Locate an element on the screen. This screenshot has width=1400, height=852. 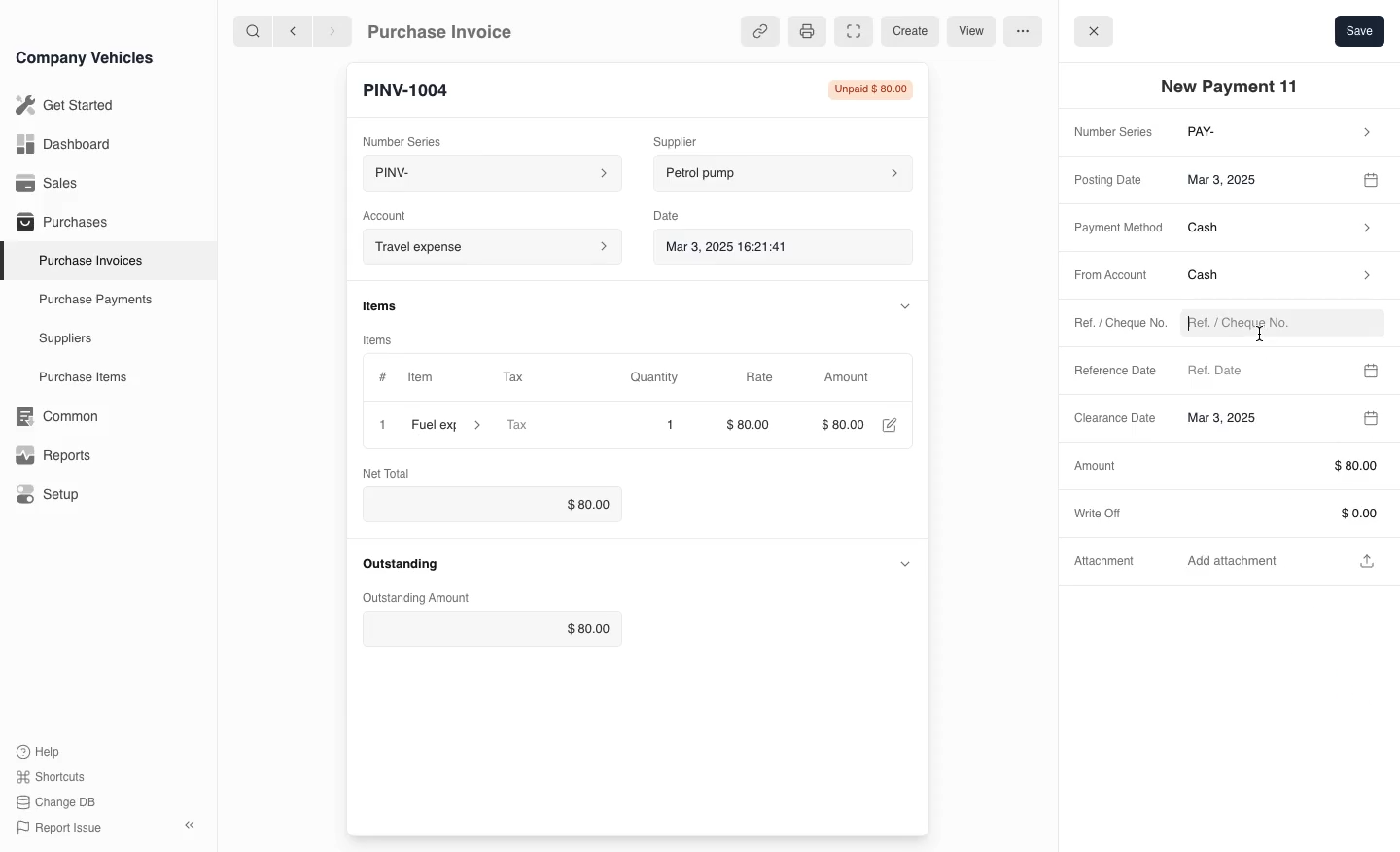
$ 80.00 is located at coordinates (1279, 466).